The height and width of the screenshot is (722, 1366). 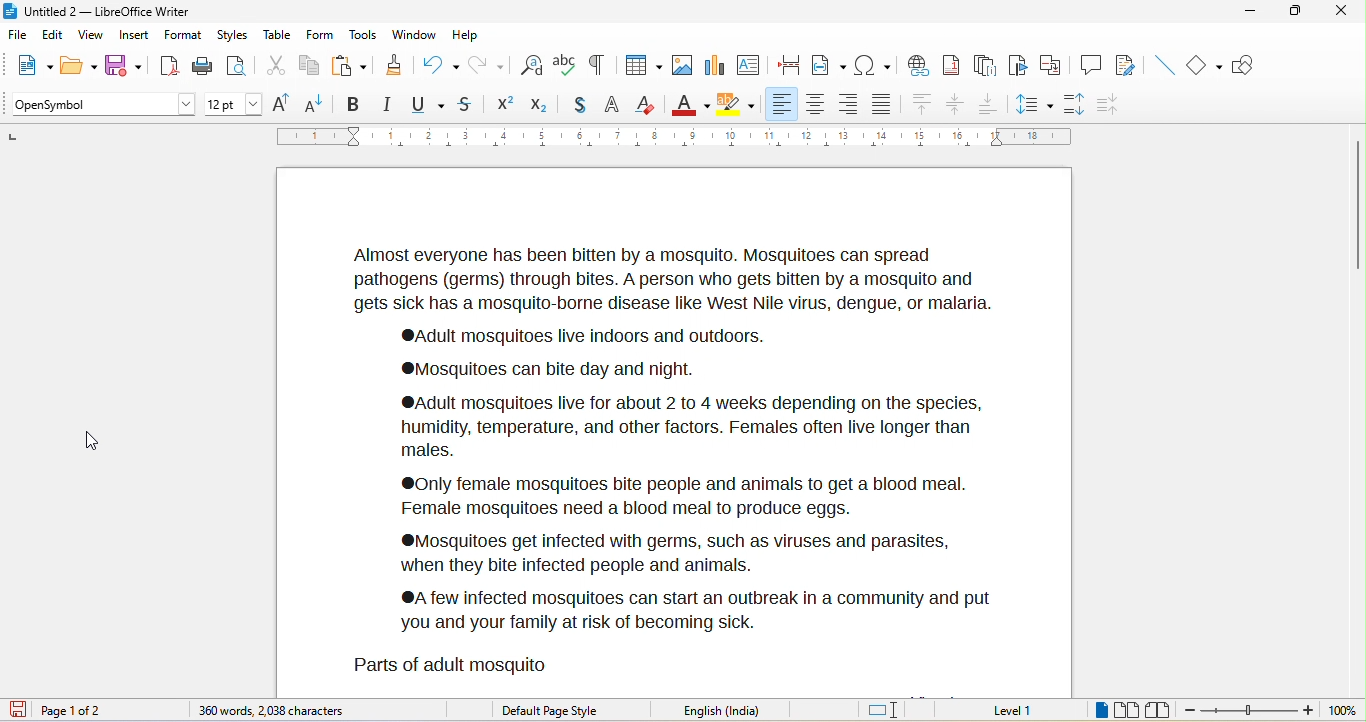 What do you see at coordinates (78, 709) in the screenshot?
I see `page 1 of 2` at bounding box center [78, 709].